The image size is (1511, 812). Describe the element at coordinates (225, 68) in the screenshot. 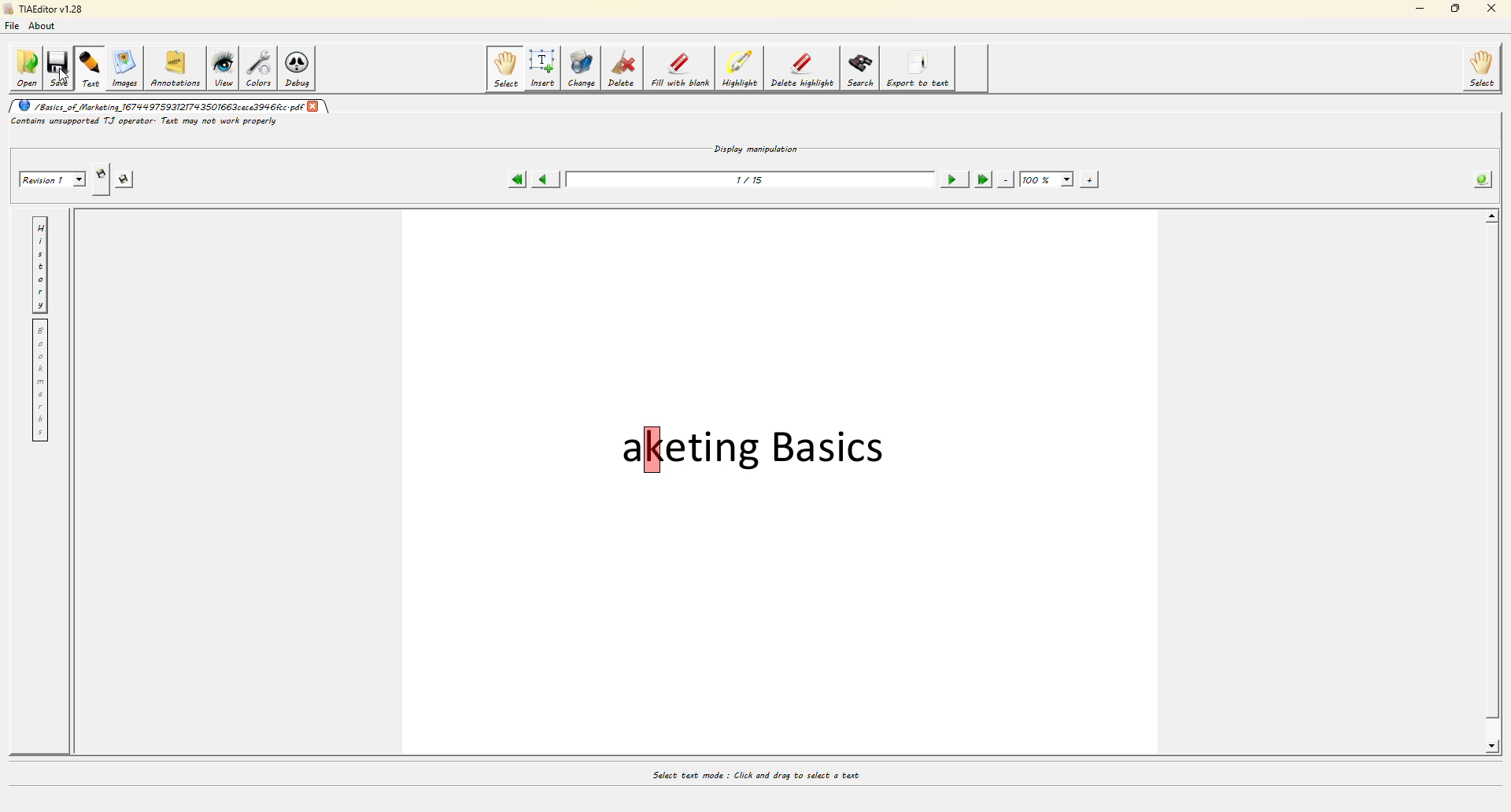

I see `view` at that location.